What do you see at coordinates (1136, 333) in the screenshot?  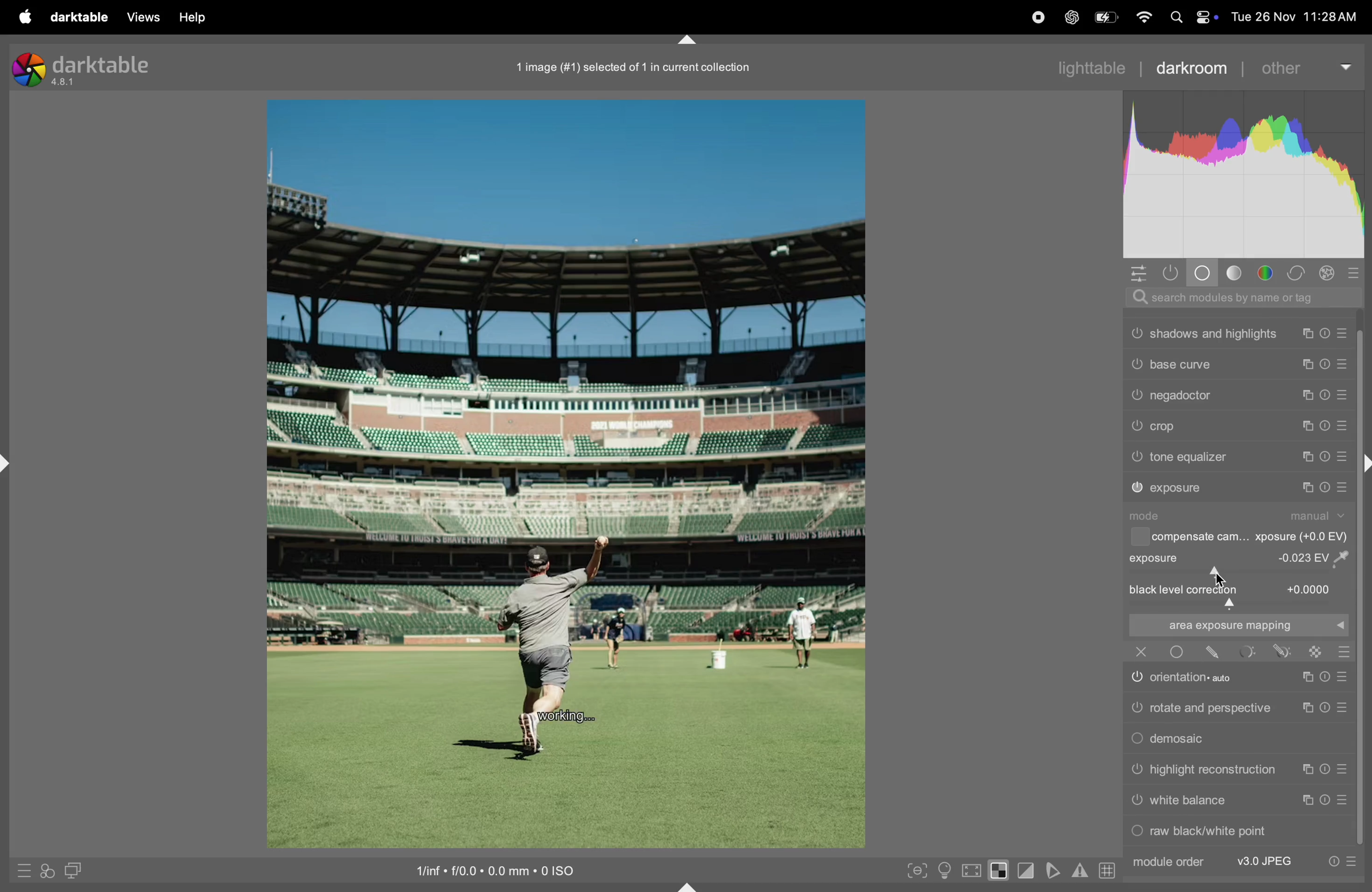 I see `Switch on or off` at bounding box center [1136, 333].